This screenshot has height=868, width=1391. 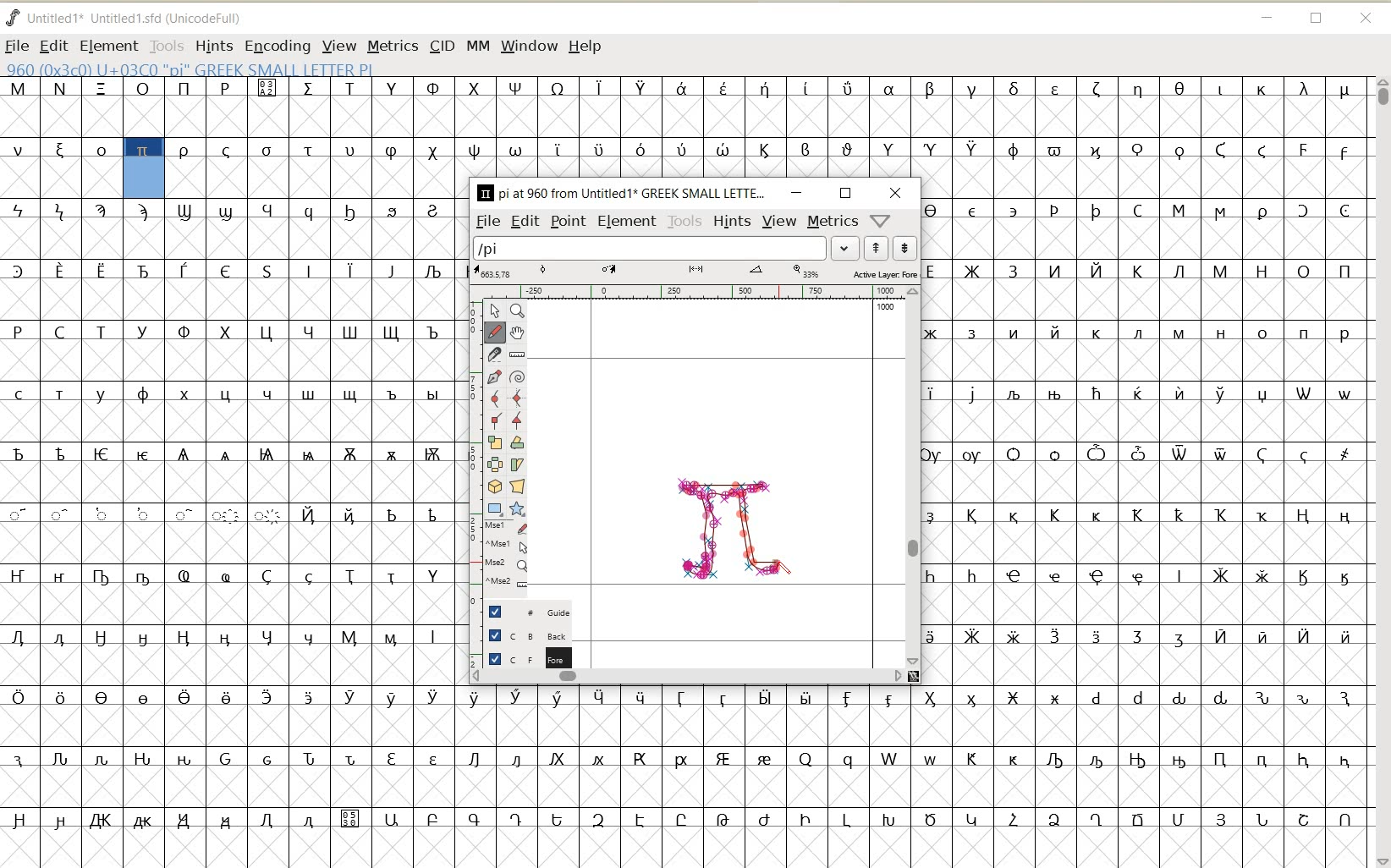 I want to click on help/window, so click(x=881, y=221).